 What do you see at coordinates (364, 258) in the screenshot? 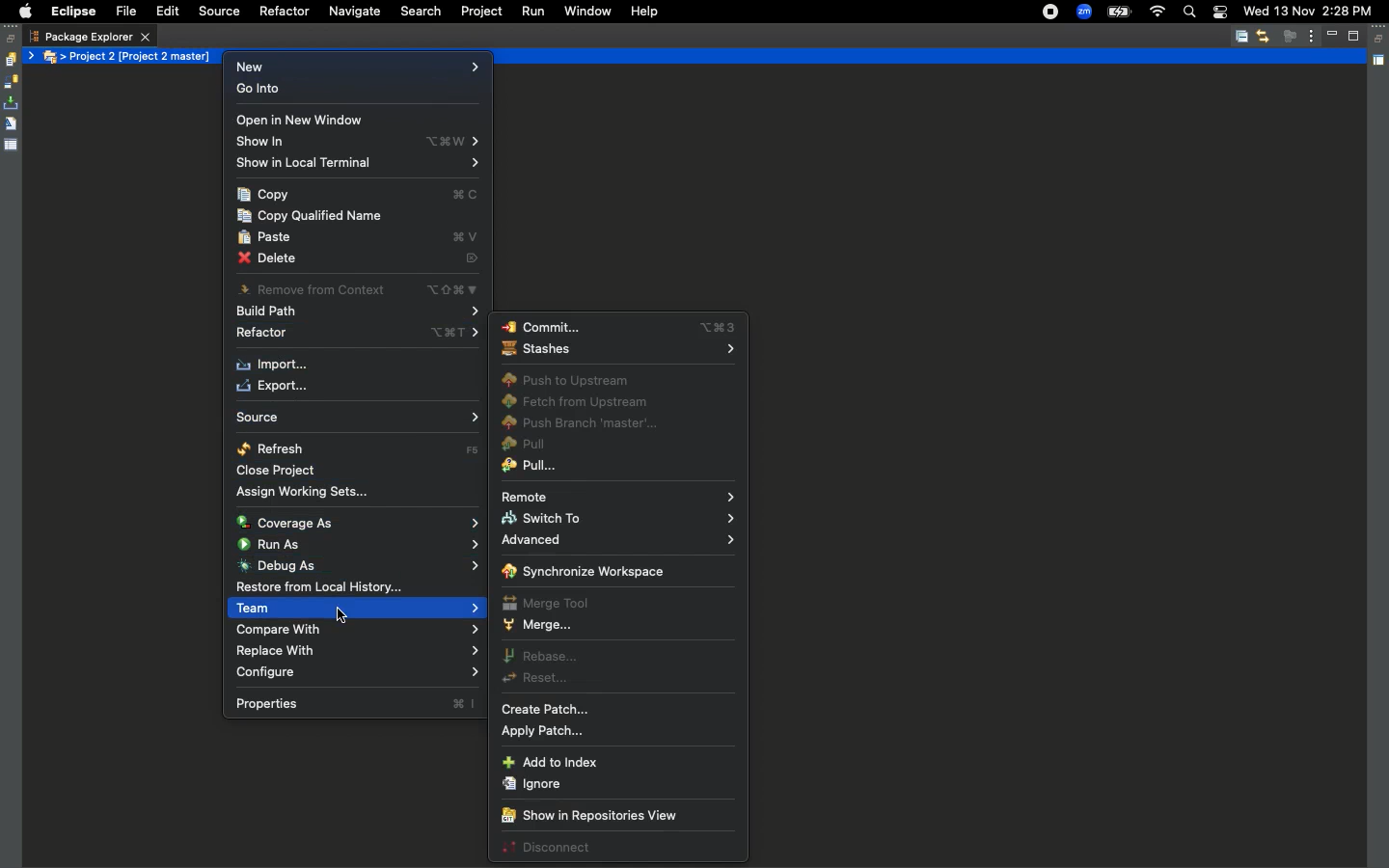
I see `Delete` at bounding box center [364, 258].